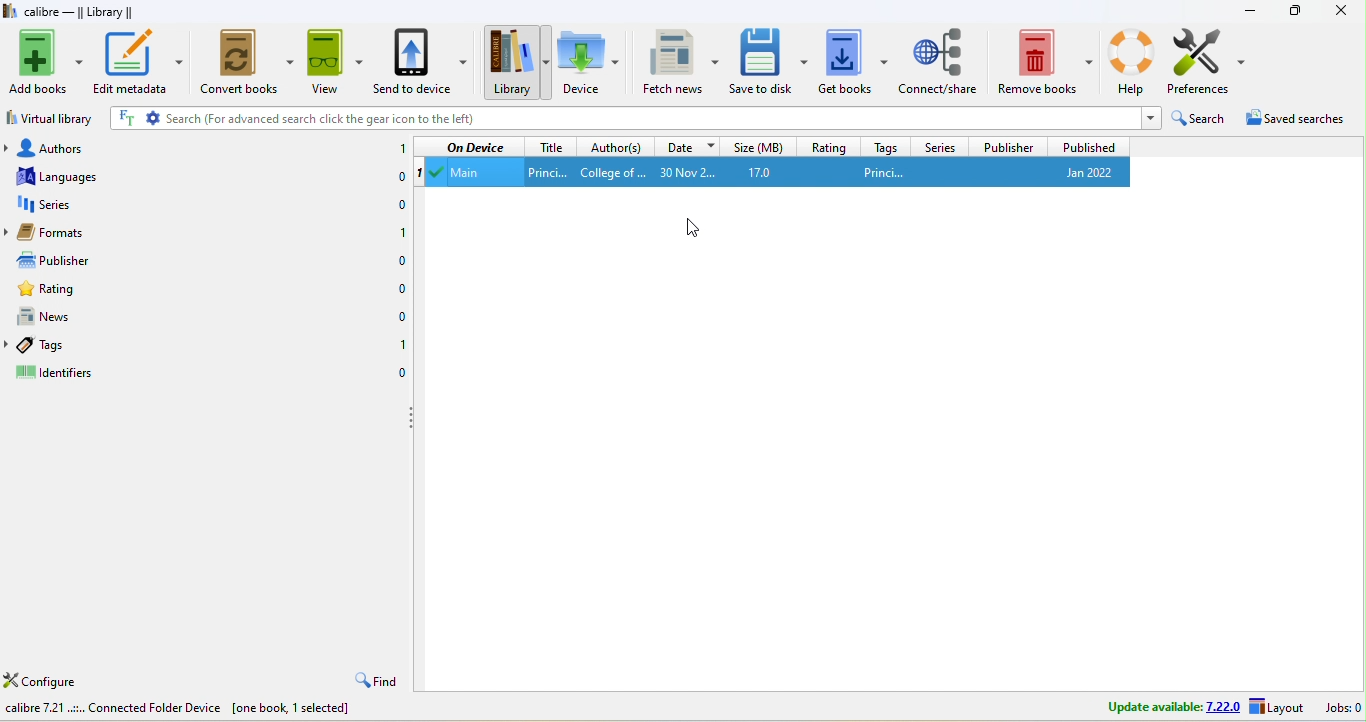 The width and height of the screenshot is (1366, 722). What do you see at coordinates (140, 61) in the screenshot?
I see `edit metadata` at bounding box center [140, 61].